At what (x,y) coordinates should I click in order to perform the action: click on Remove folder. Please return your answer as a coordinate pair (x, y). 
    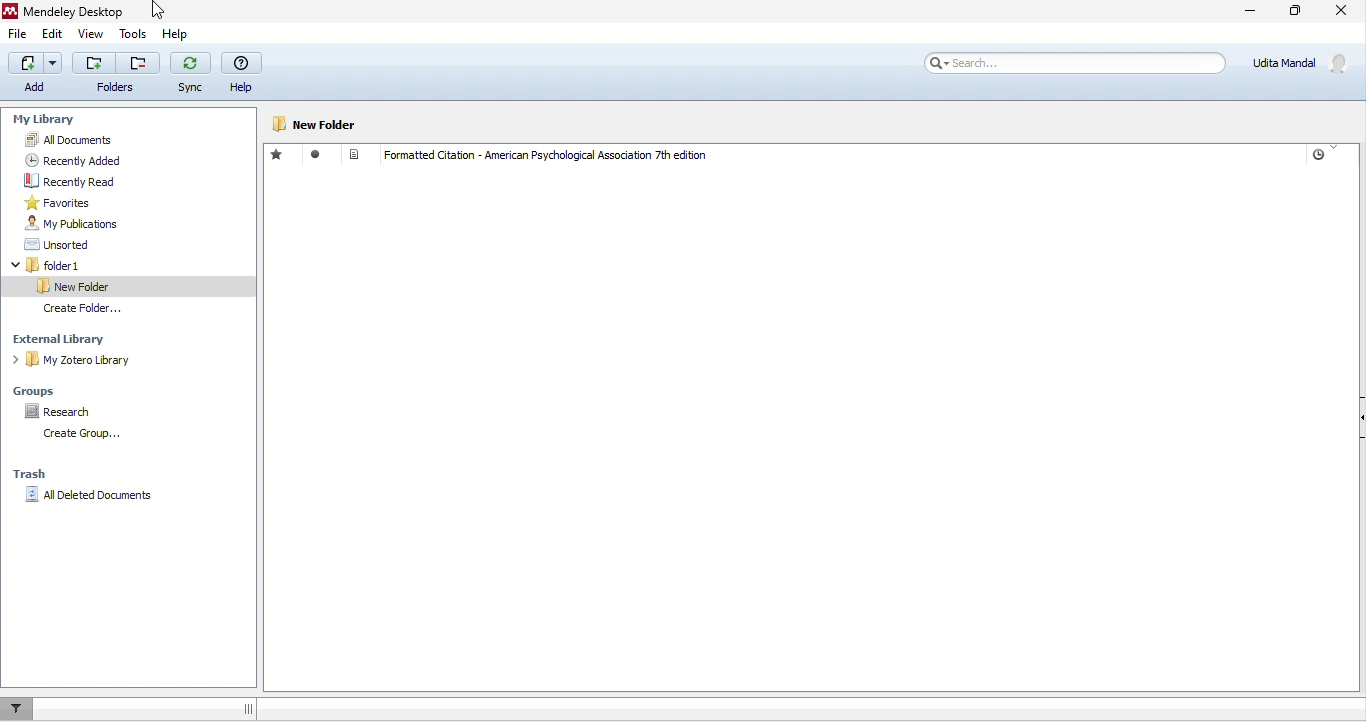
    Looking at the image, I should click on (139, 64).